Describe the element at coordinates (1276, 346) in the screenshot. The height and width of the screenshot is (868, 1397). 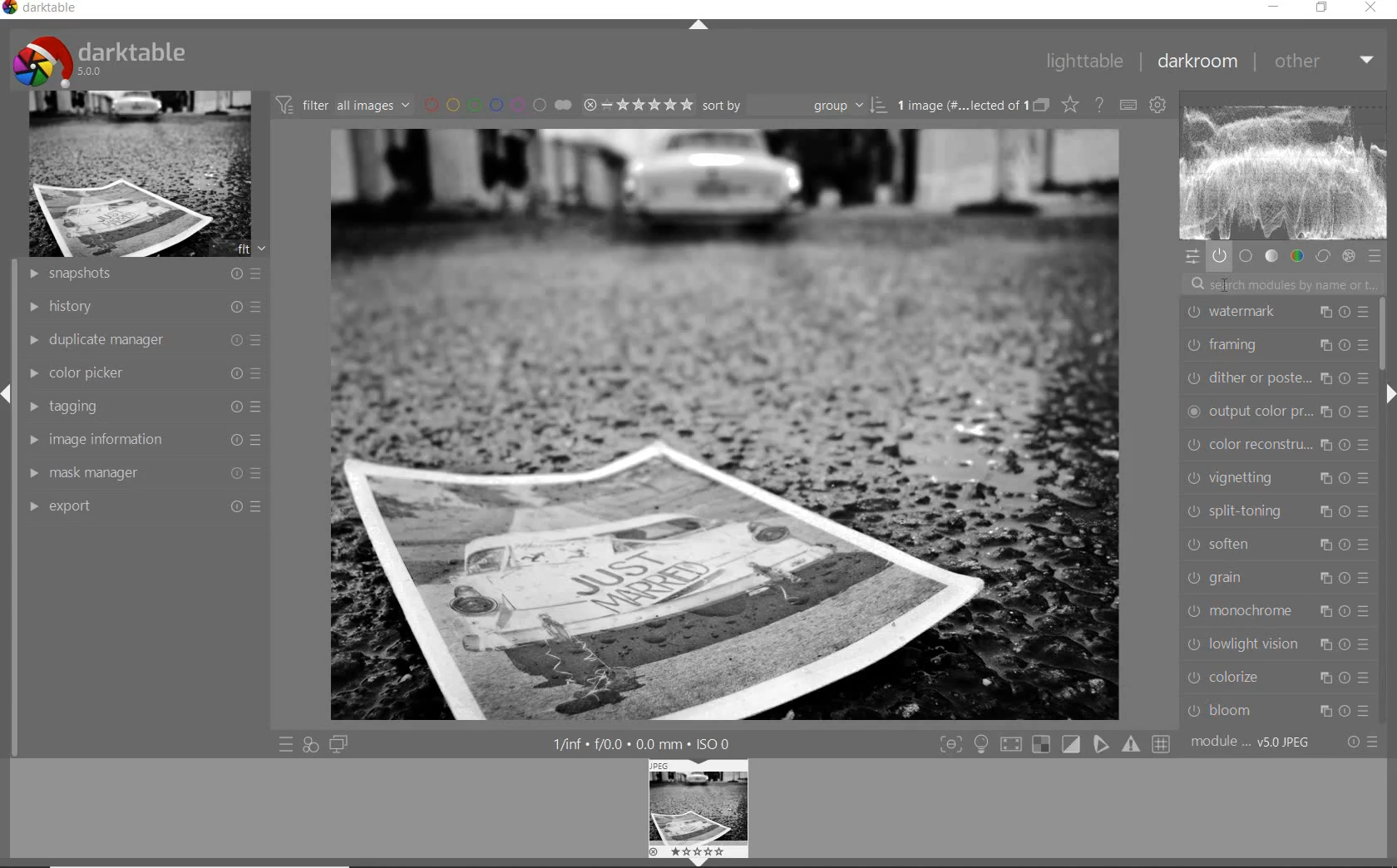
I see `framing` at that location.